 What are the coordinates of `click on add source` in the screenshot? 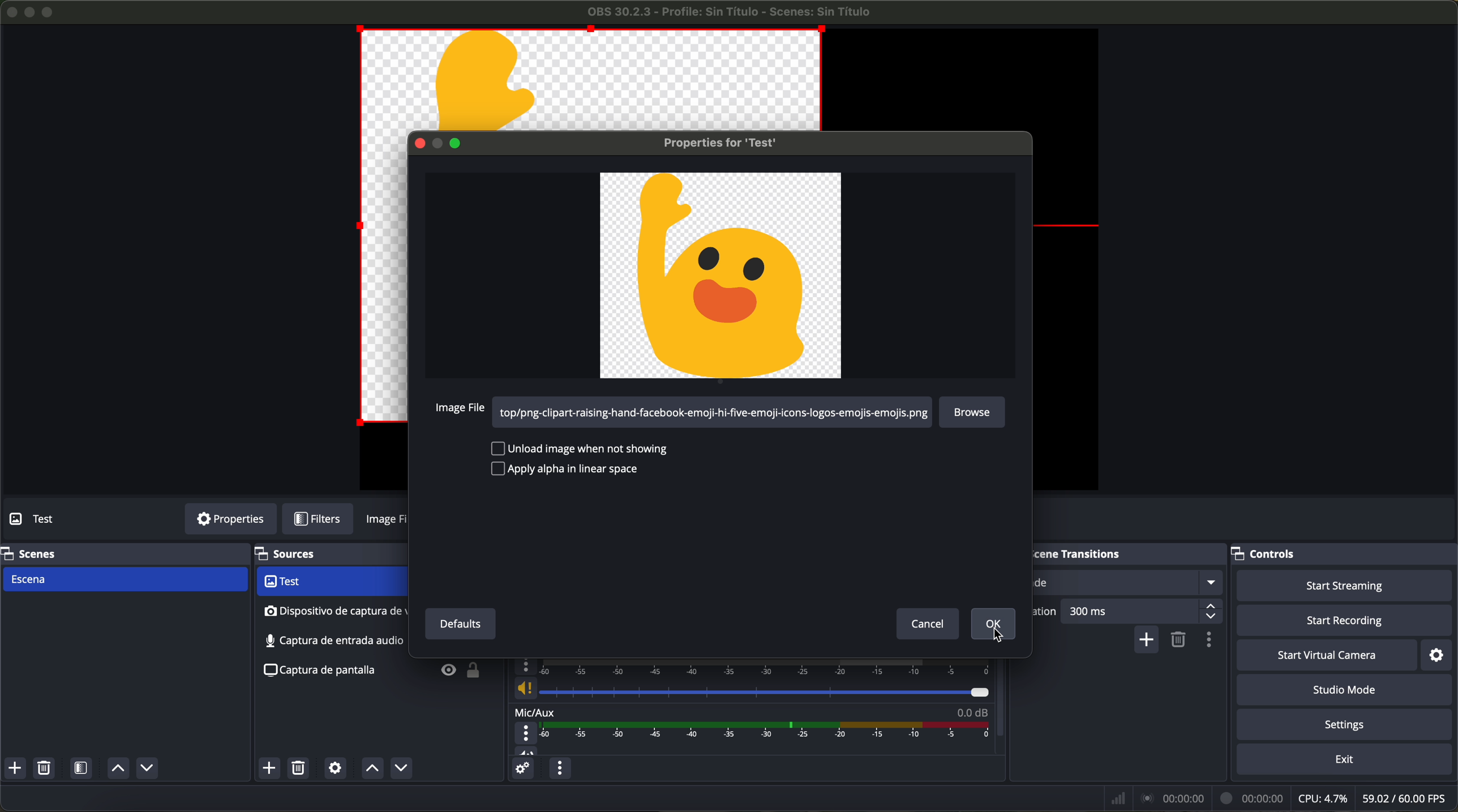 It's located at (272, 769).